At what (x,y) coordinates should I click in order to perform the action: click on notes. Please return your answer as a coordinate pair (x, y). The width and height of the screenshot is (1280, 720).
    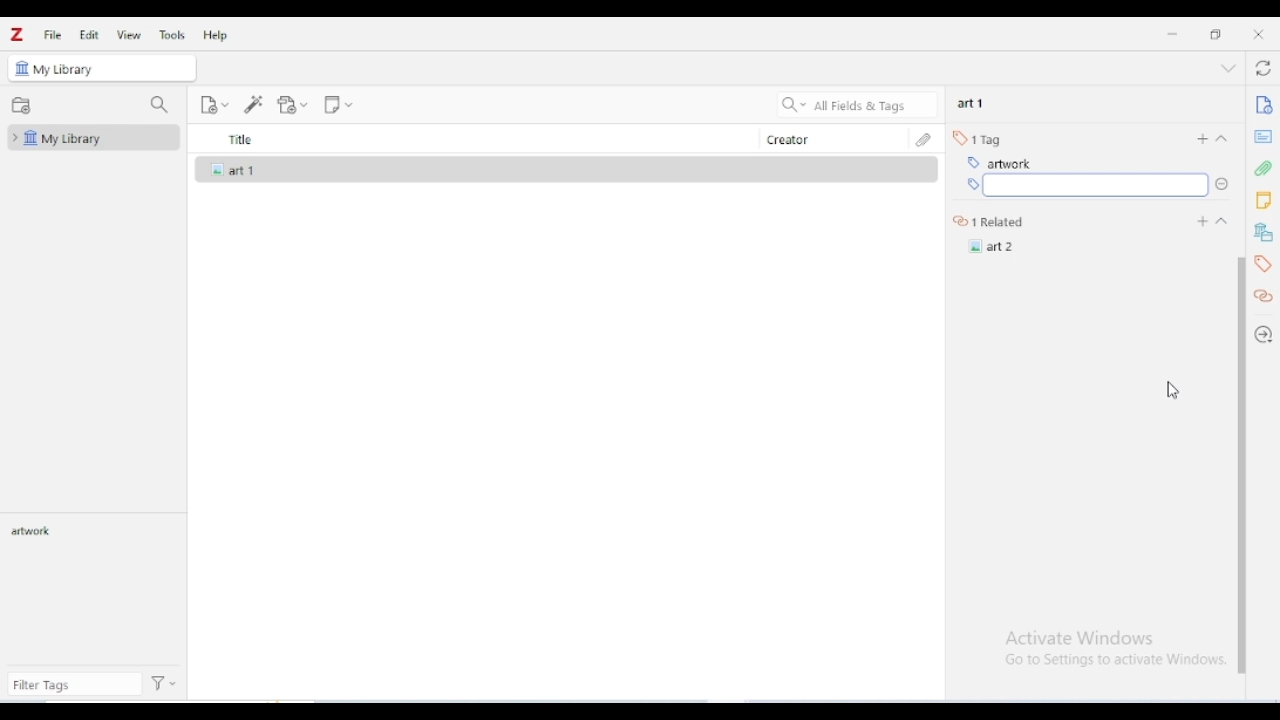
    Looking at the image, I should click on (1263, 200).